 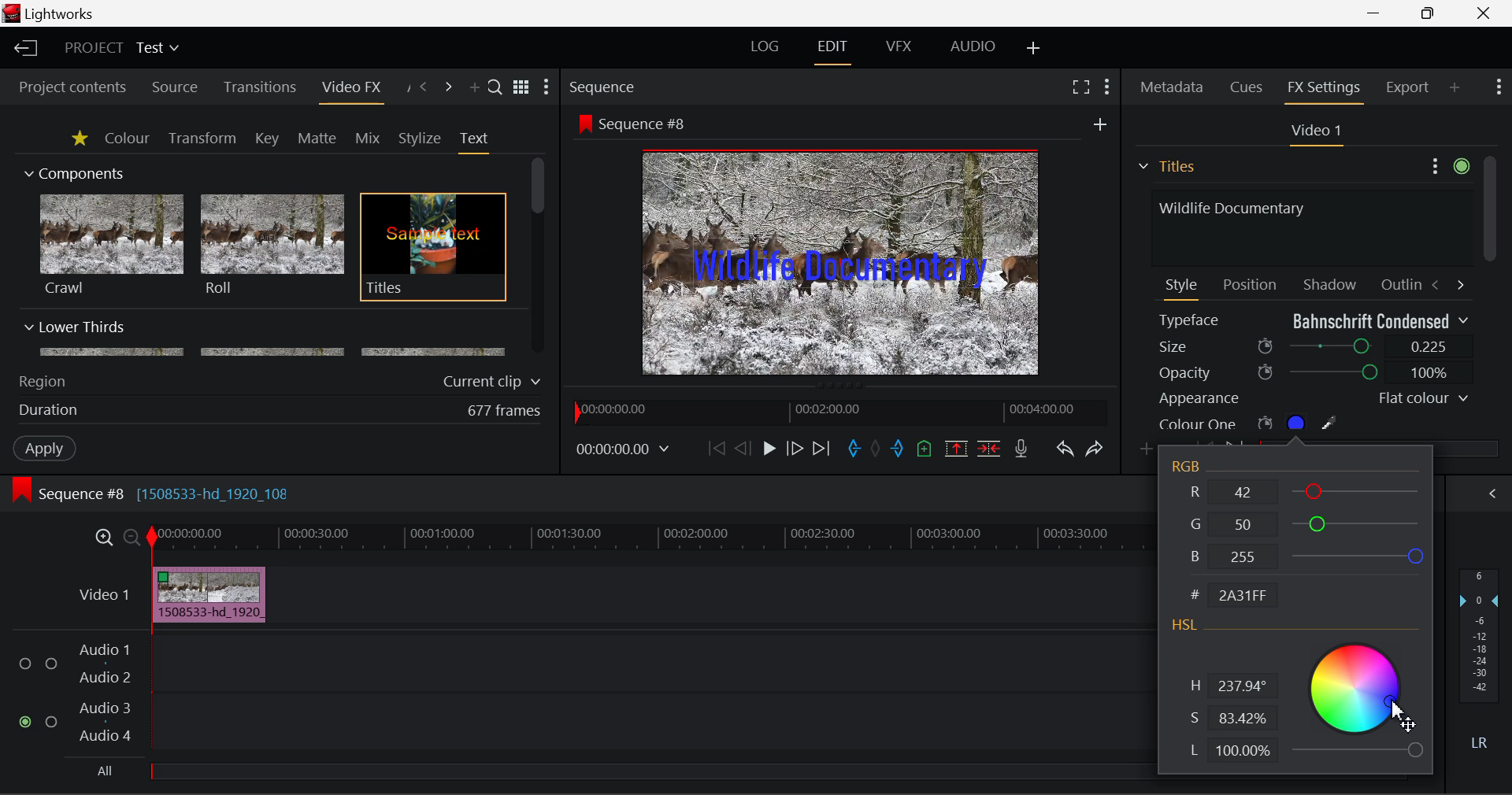 What do you see at coordinates (1238, 597) in the screenshot?
I see `Code` at bounding box center [1238, 597].